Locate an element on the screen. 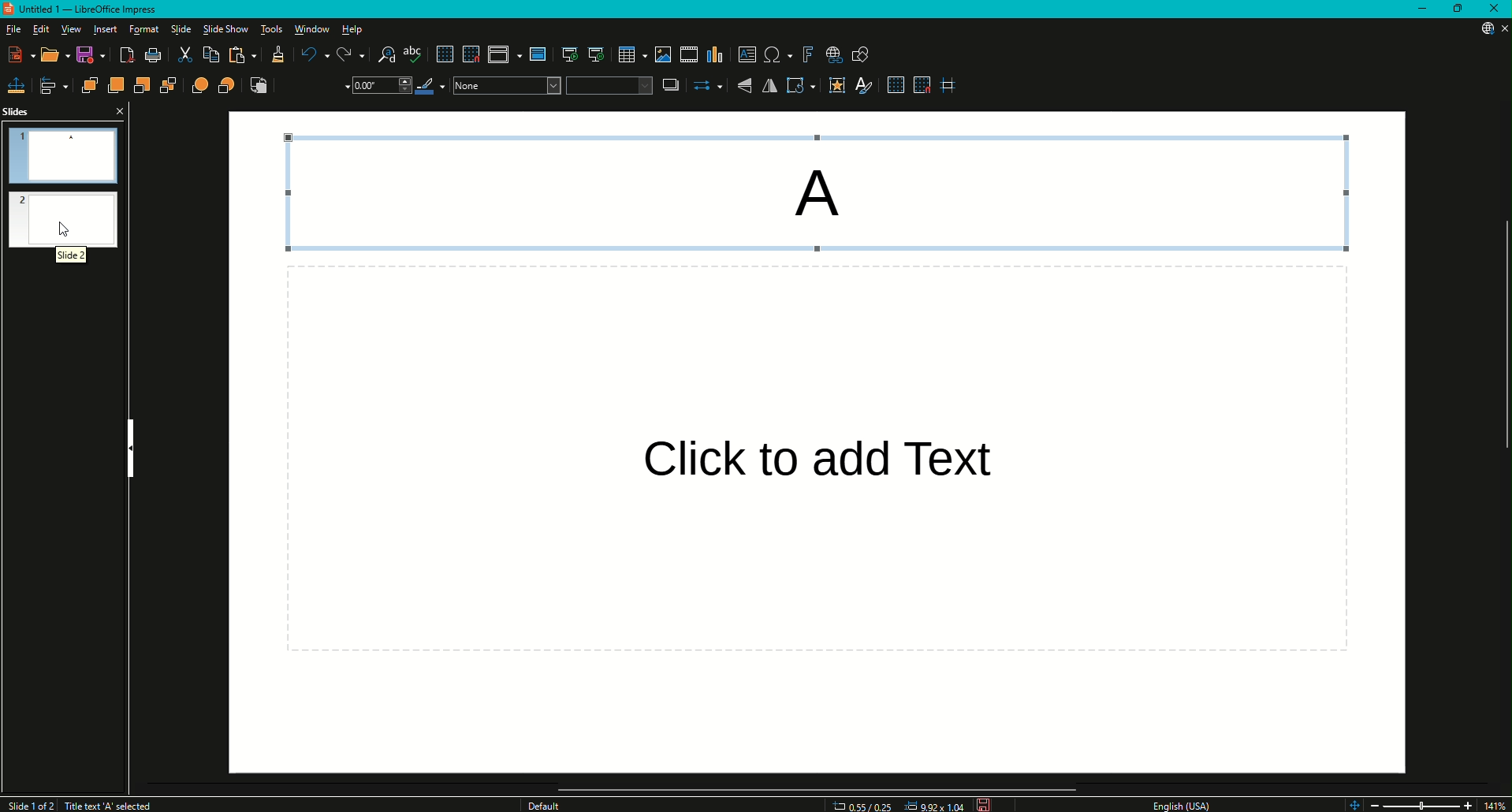 This screenshot has width=1512, height=812. Transformations is located at coordinates (803, 87).